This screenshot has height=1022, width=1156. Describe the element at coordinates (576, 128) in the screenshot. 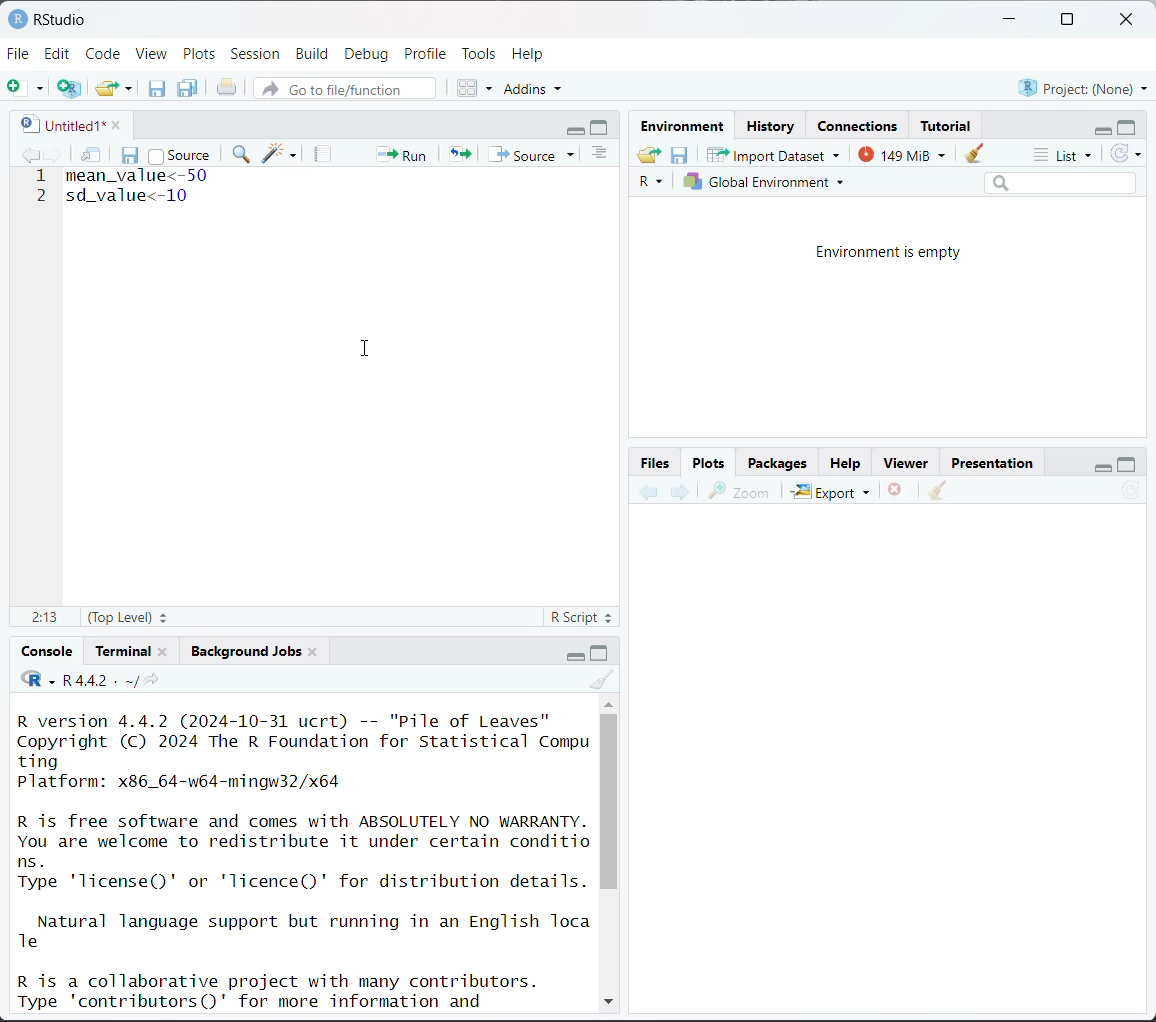

I see `minimize` at that location.